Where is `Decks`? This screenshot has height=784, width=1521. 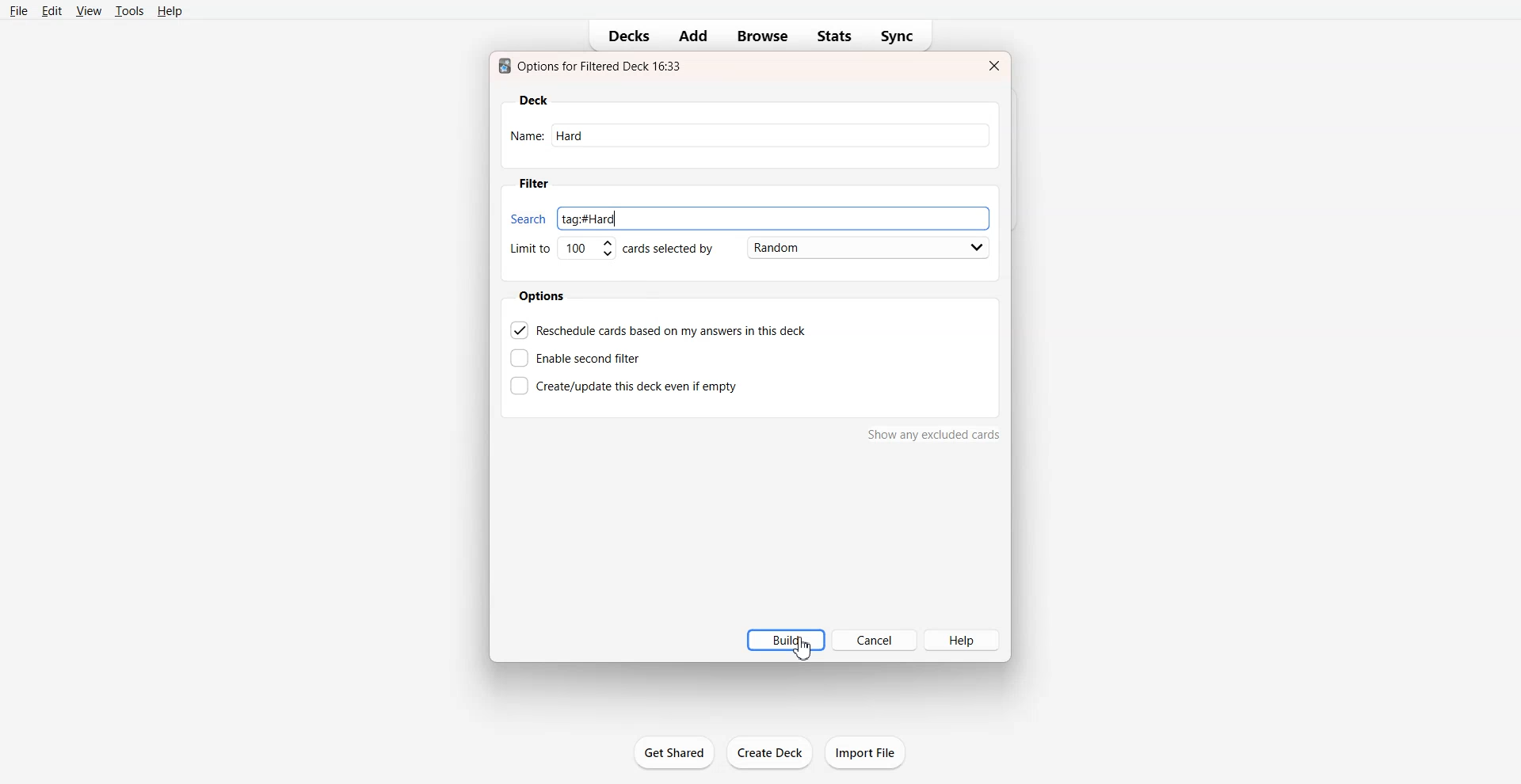 Decks is located at coordinates (623, 36).